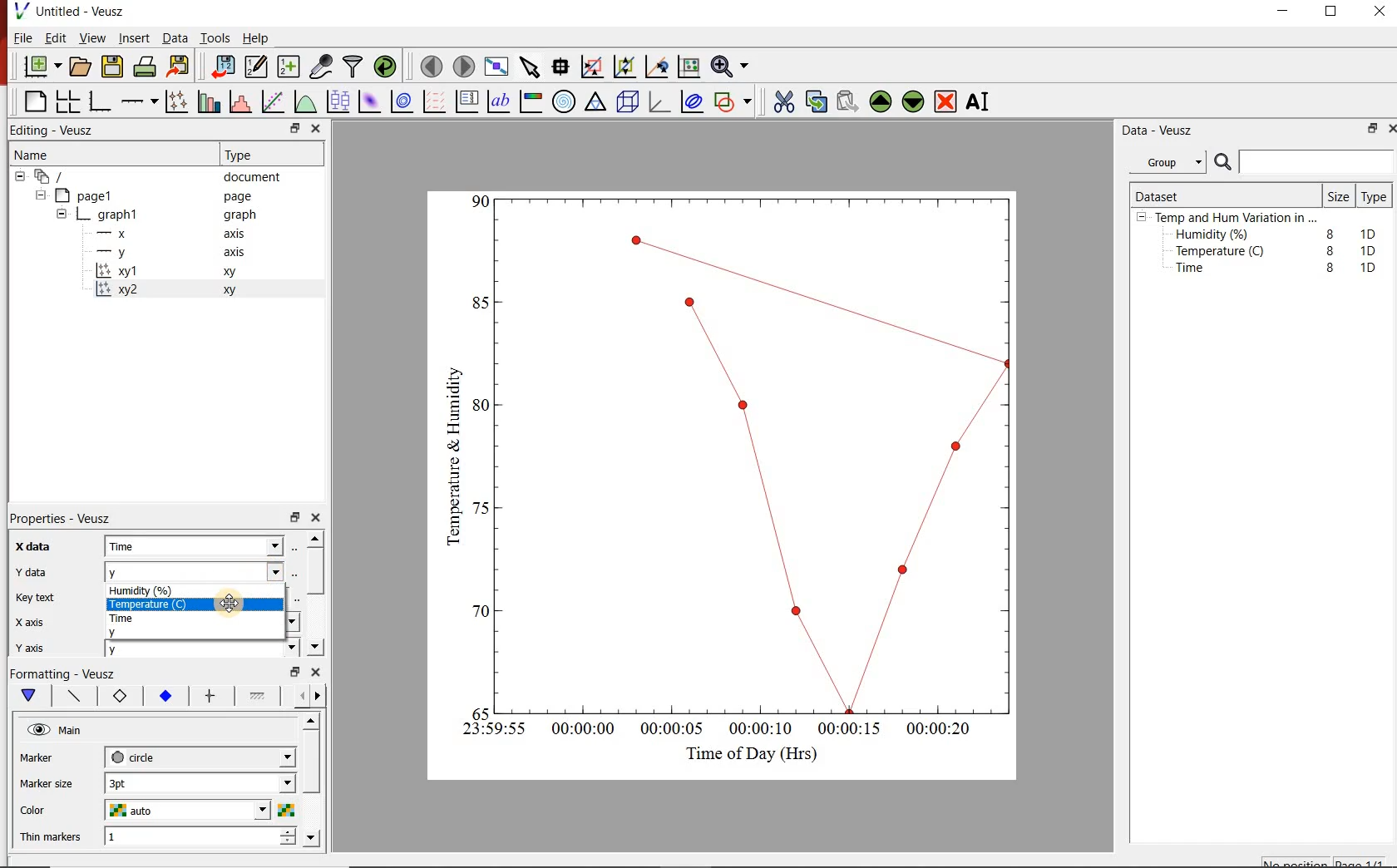 The image size is (1397, 868). What do you see at coordinates (321, 518) in the screenshot?
I see `close` at bounding box center [321, 518].